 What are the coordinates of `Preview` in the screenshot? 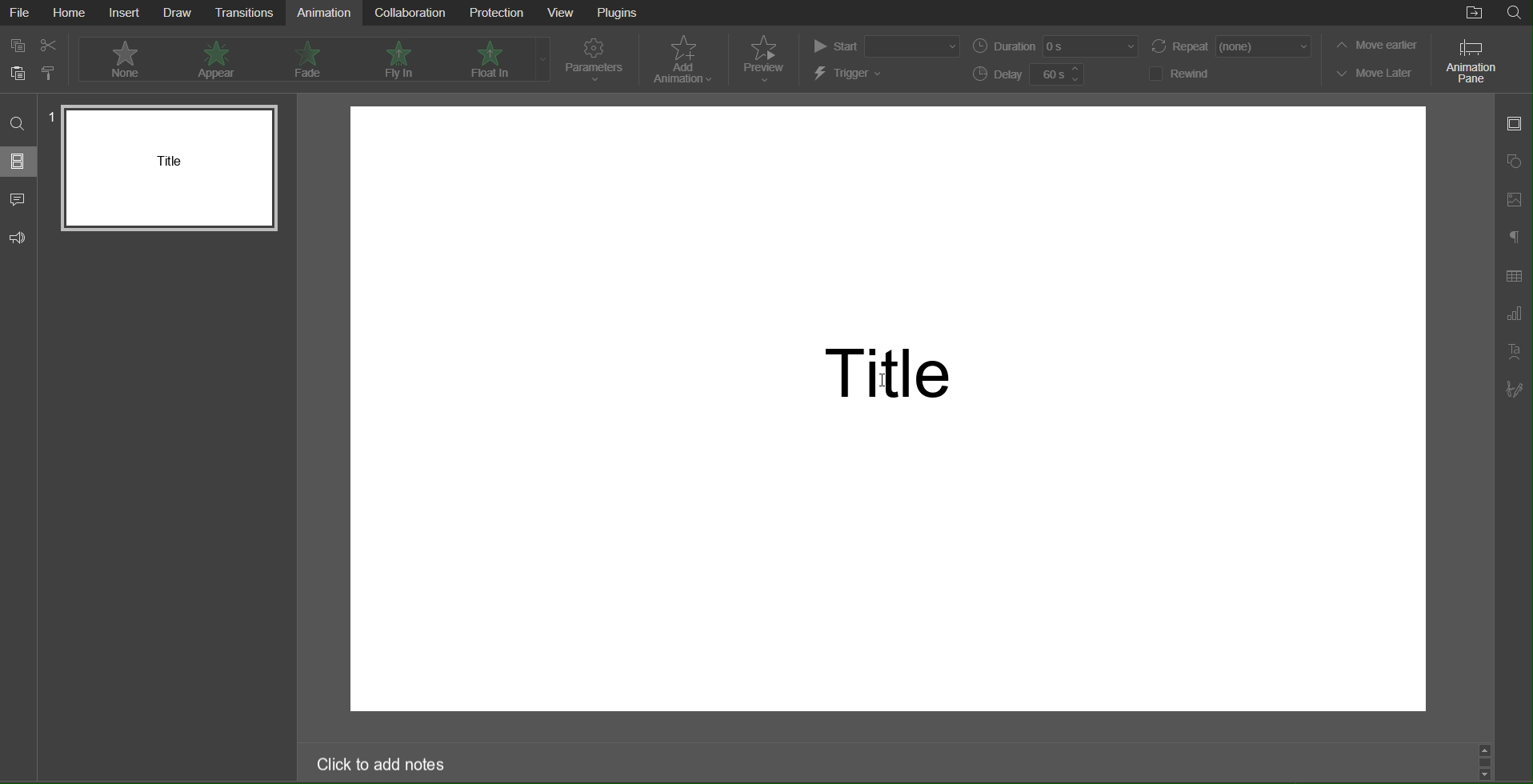 It's located at (764, 58).